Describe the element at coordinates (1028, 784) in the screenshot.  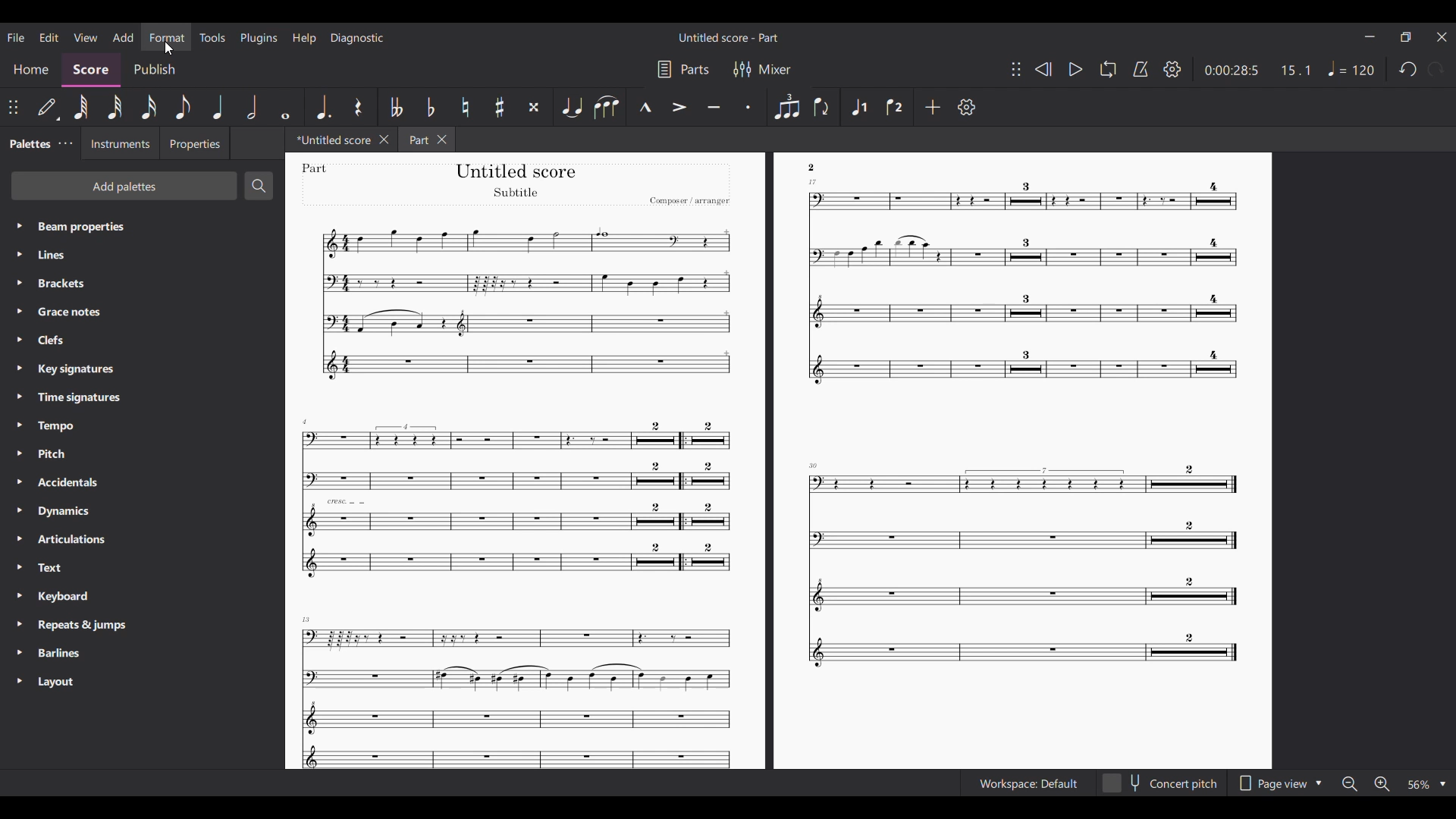
I see `Workspace Default` at that location.